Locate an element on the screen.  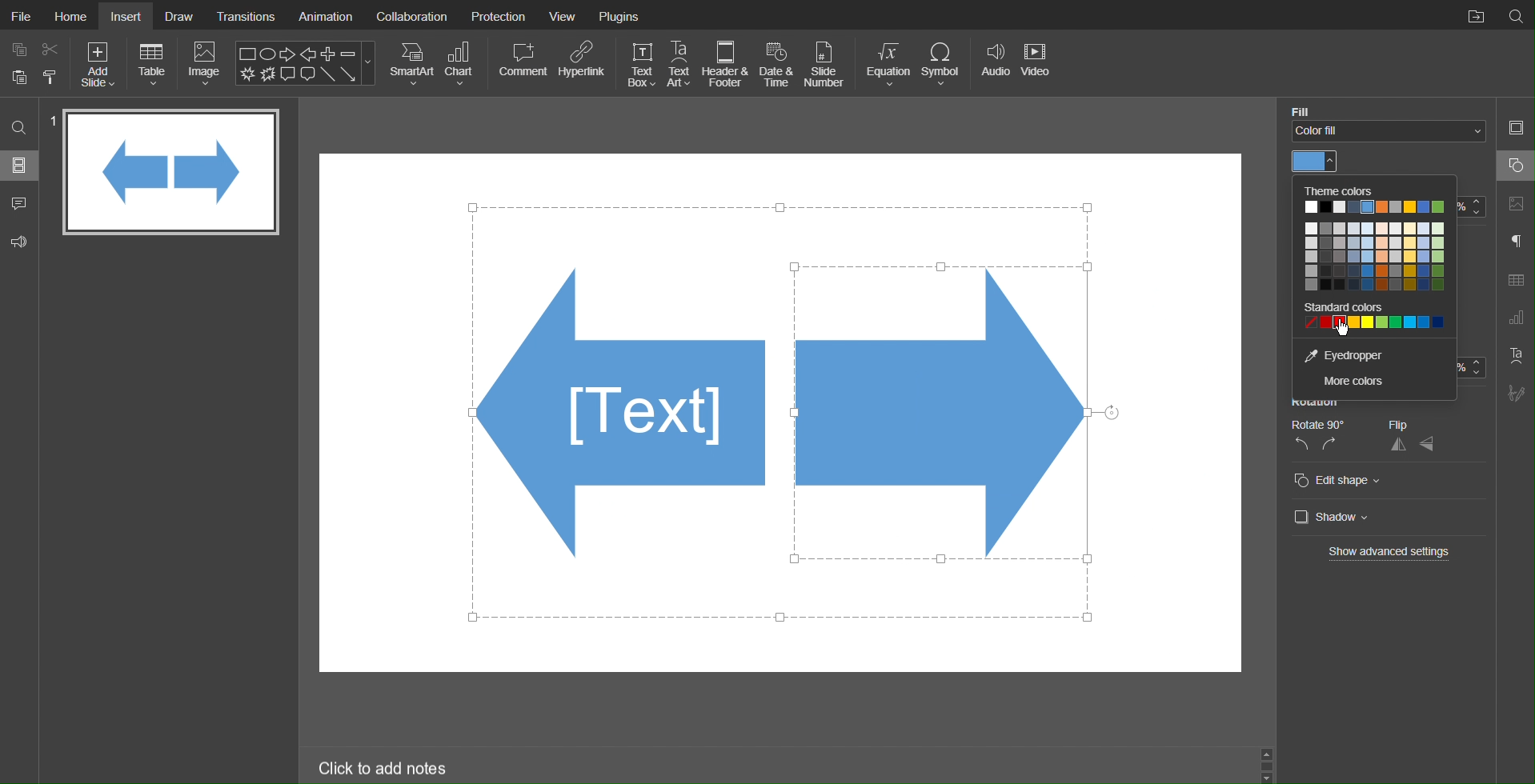
Table is located at coordinates (153, 64).